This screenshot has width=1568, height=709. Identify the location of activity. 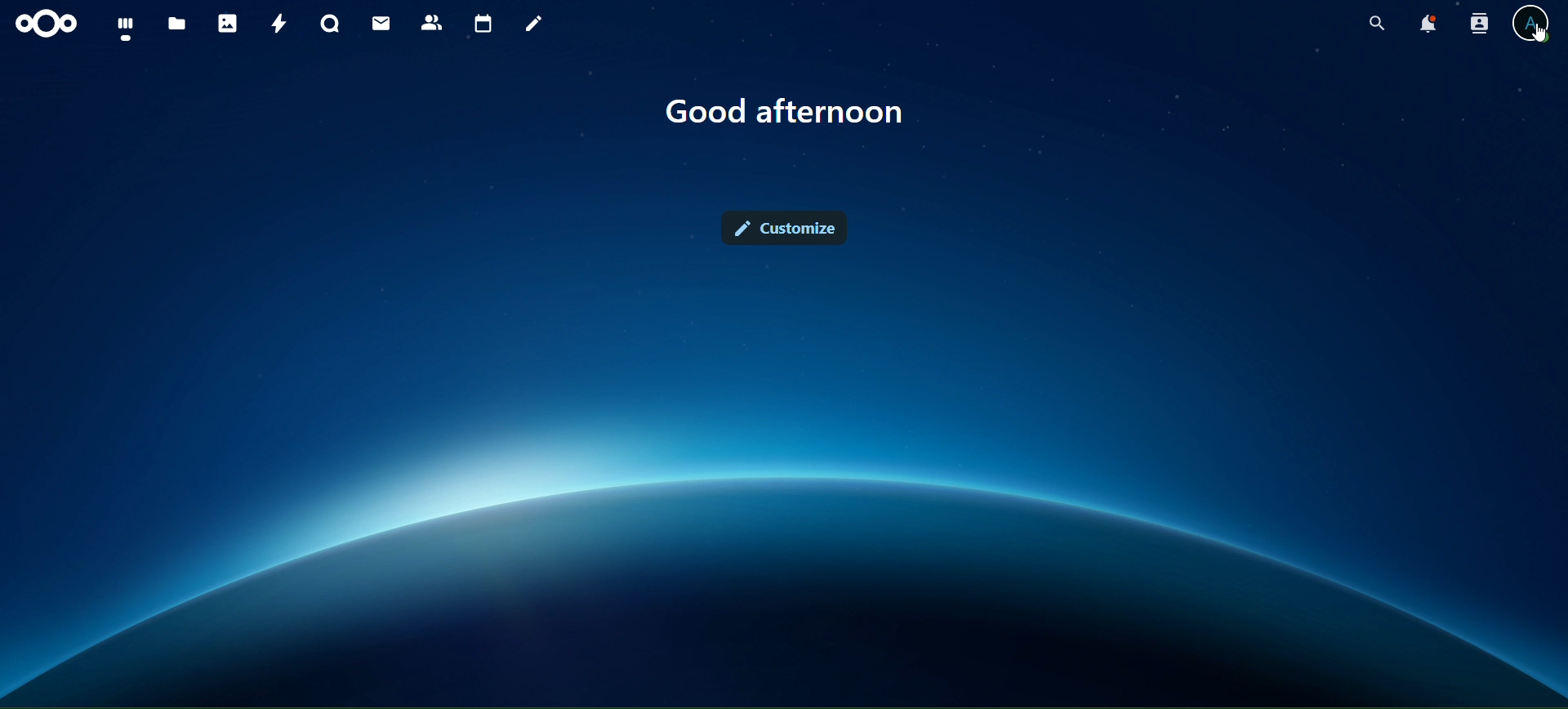
(276, 24).